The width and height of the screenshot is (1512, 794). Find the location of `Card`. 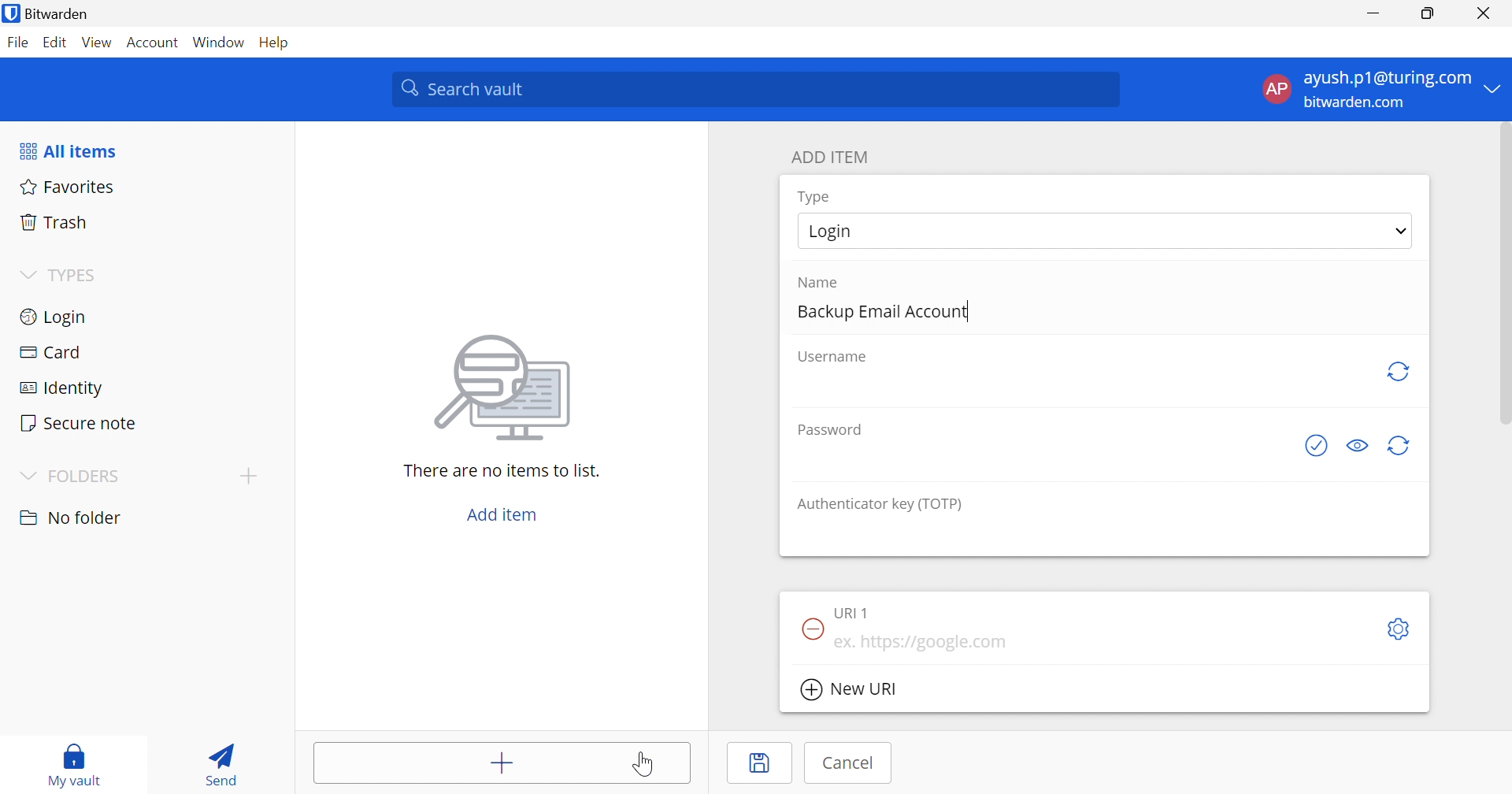

Card is located at coordinates (50, 354).